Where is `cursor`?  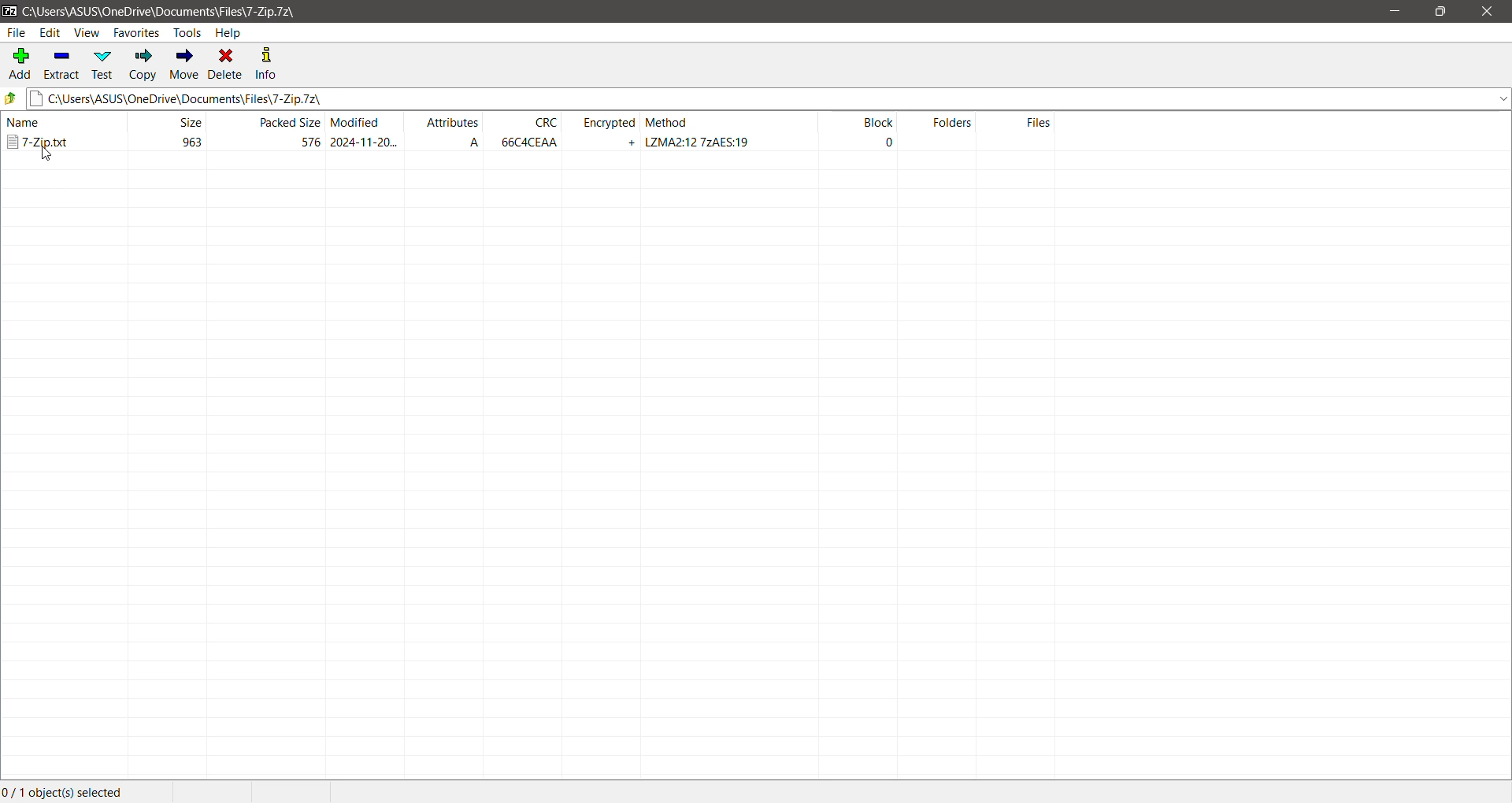
cursor is located at coordinates (51, 157).